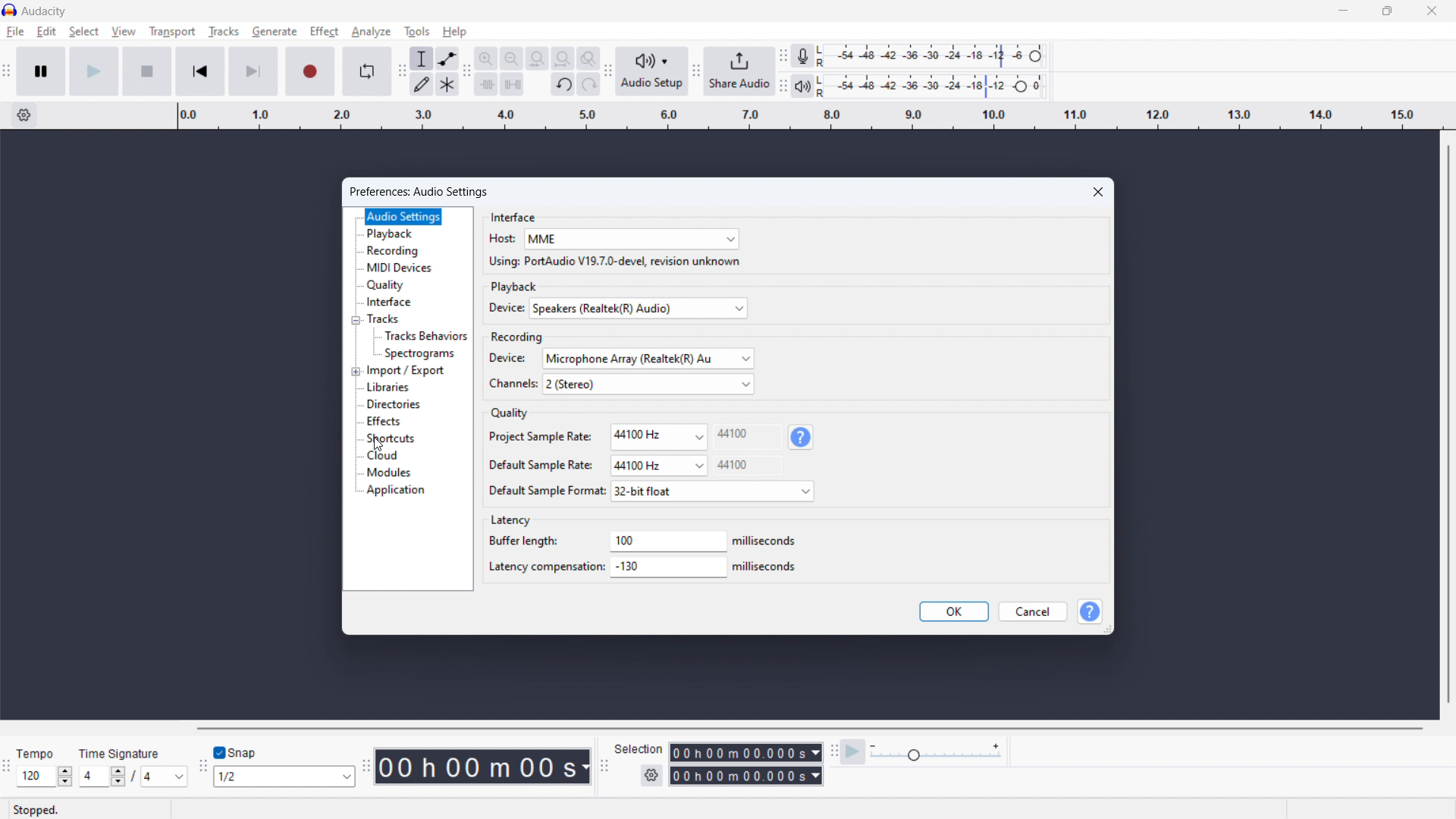  I want to click on tracks, so click(384, 318).